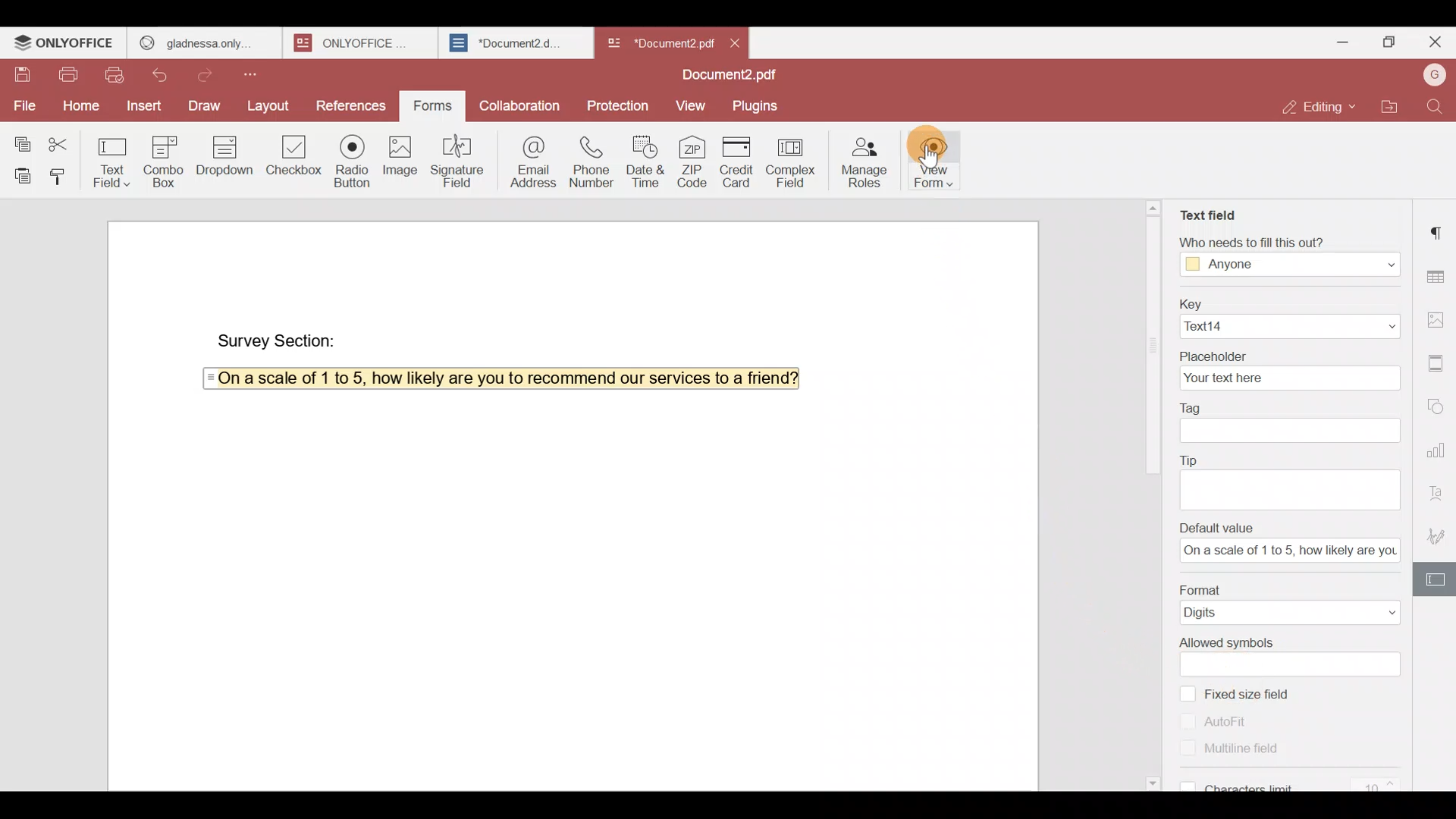 This screenshot has height=819, width=1456. What do you see at coordinates (161, 161) in the screenshot?
I see `Combo box` at bounding box center [161, 161].